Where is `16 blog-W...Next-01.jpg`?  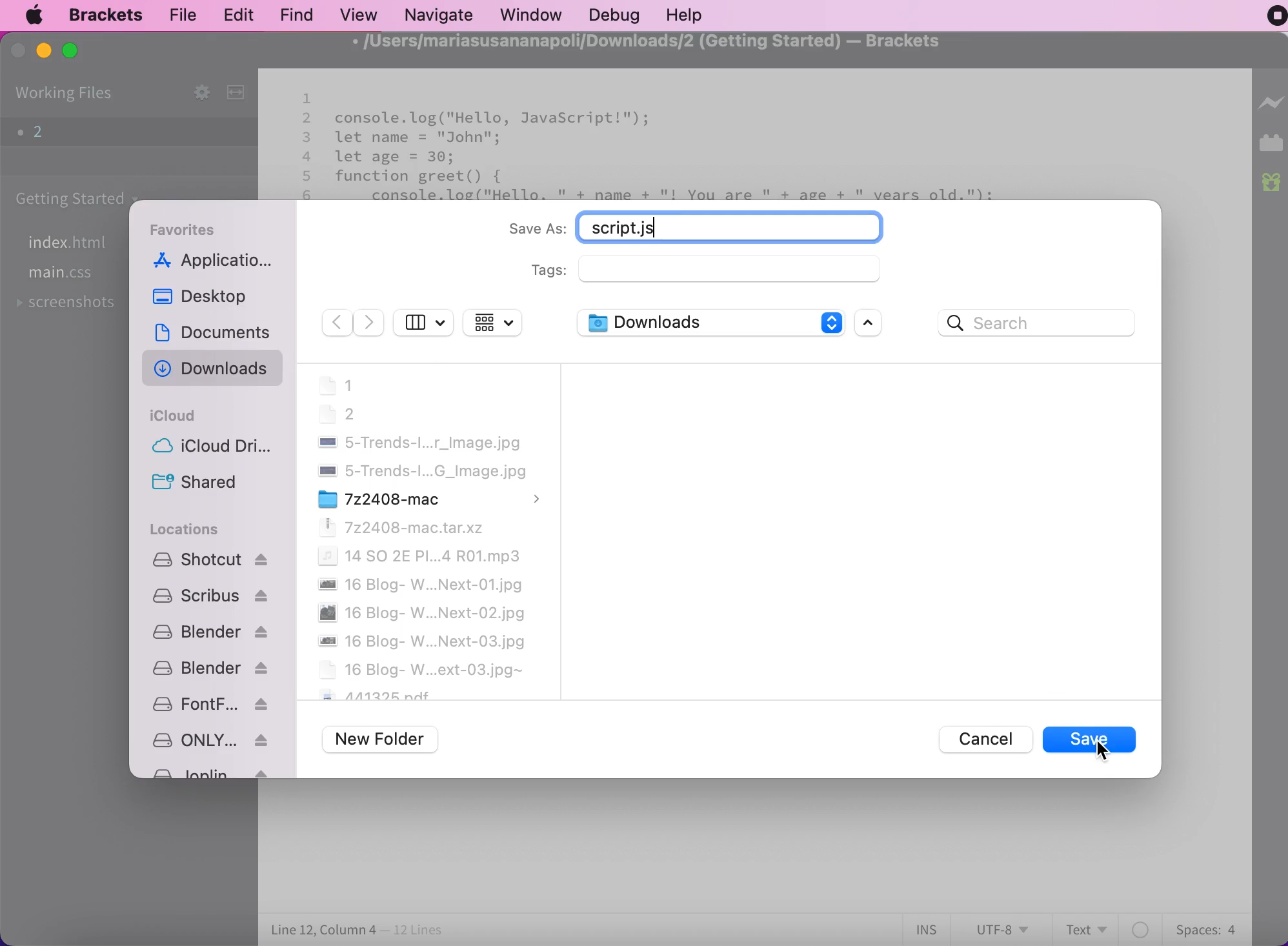 16 blog-W...Next-01.jpg is located at coordinates (419, 585).